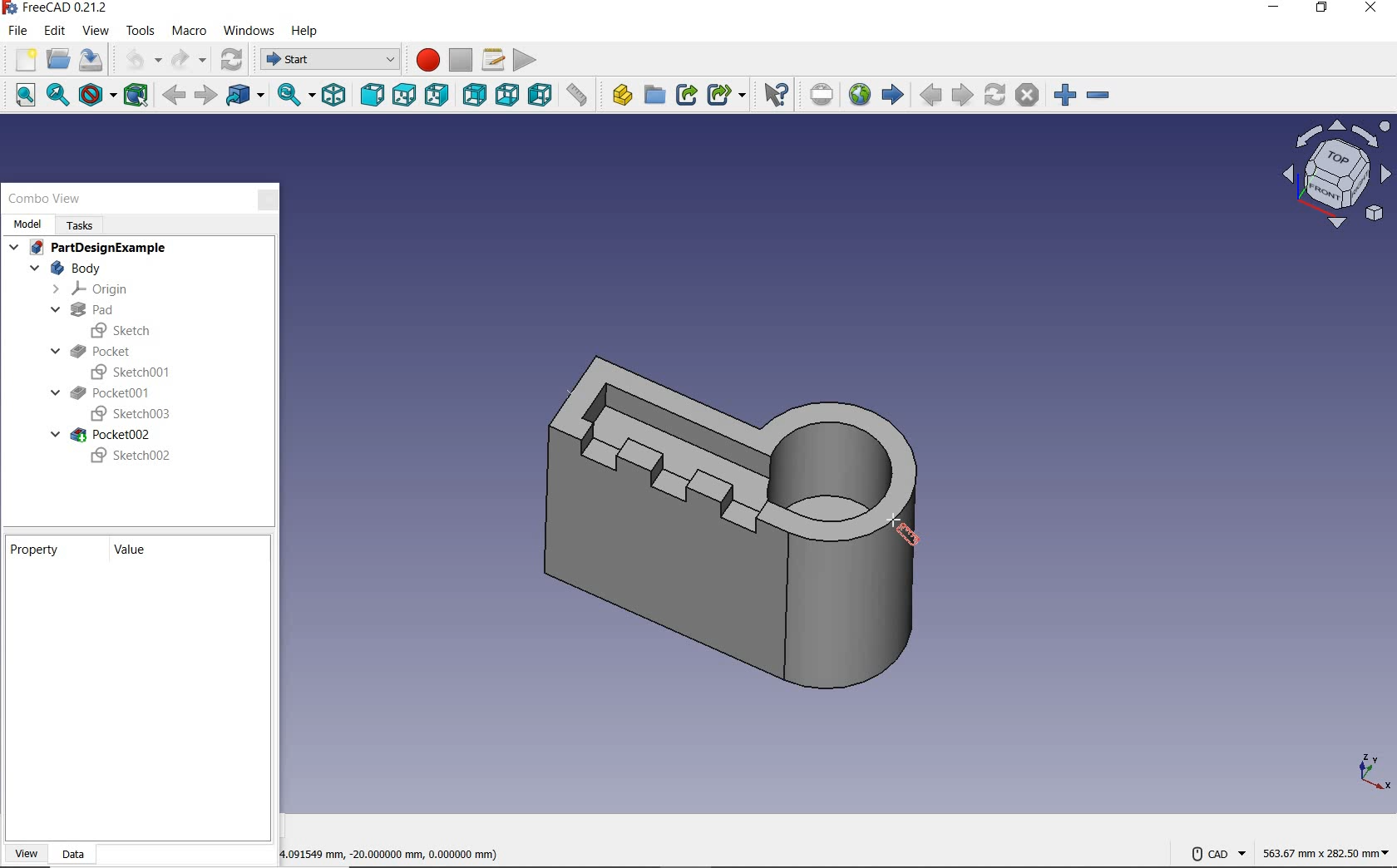 The width and height of the screenshot is (1397, 868). I want to click on sync view, so click(293, 96).